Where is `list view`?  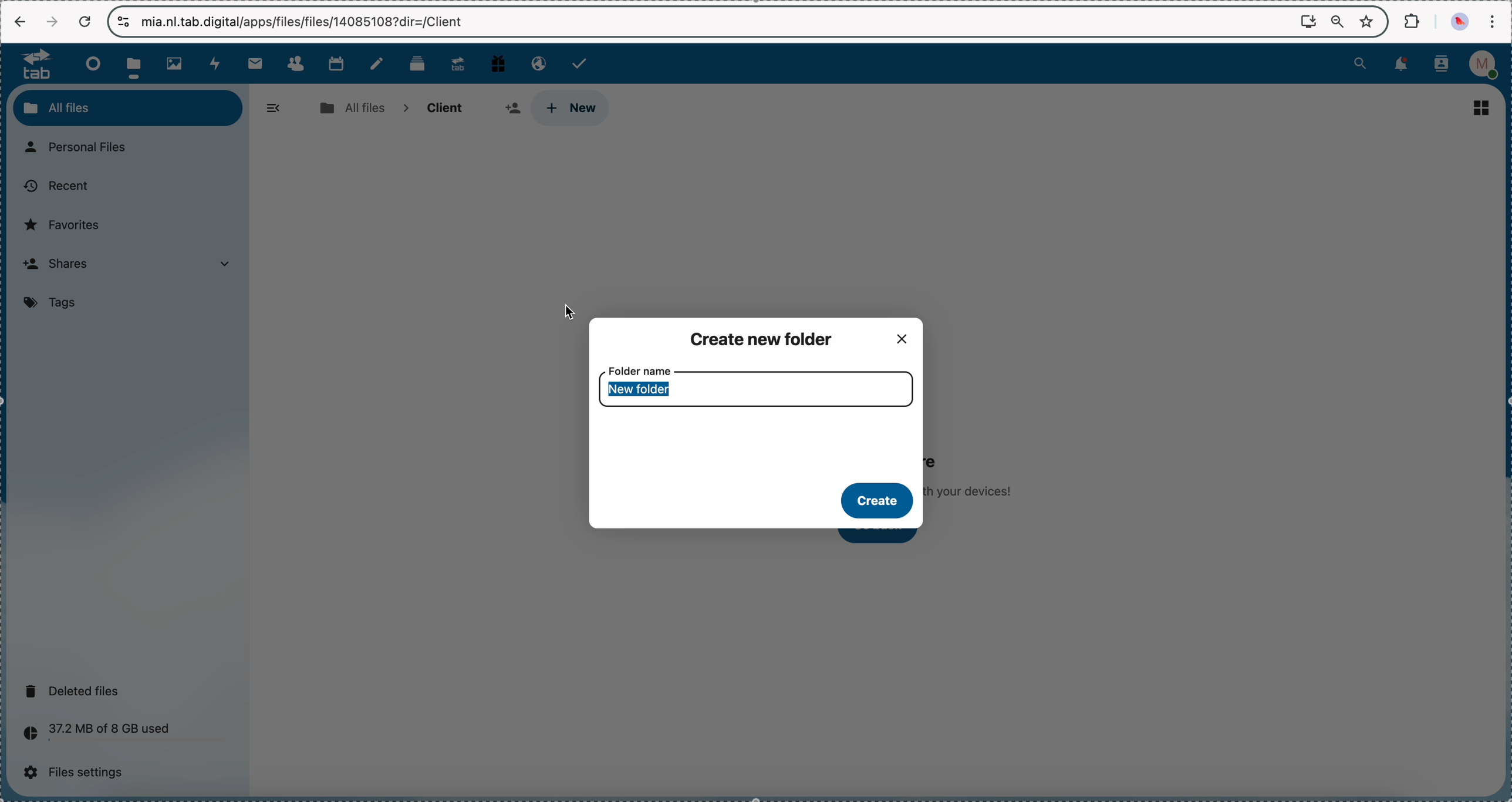 list view is located at coordinates (1481, 107).